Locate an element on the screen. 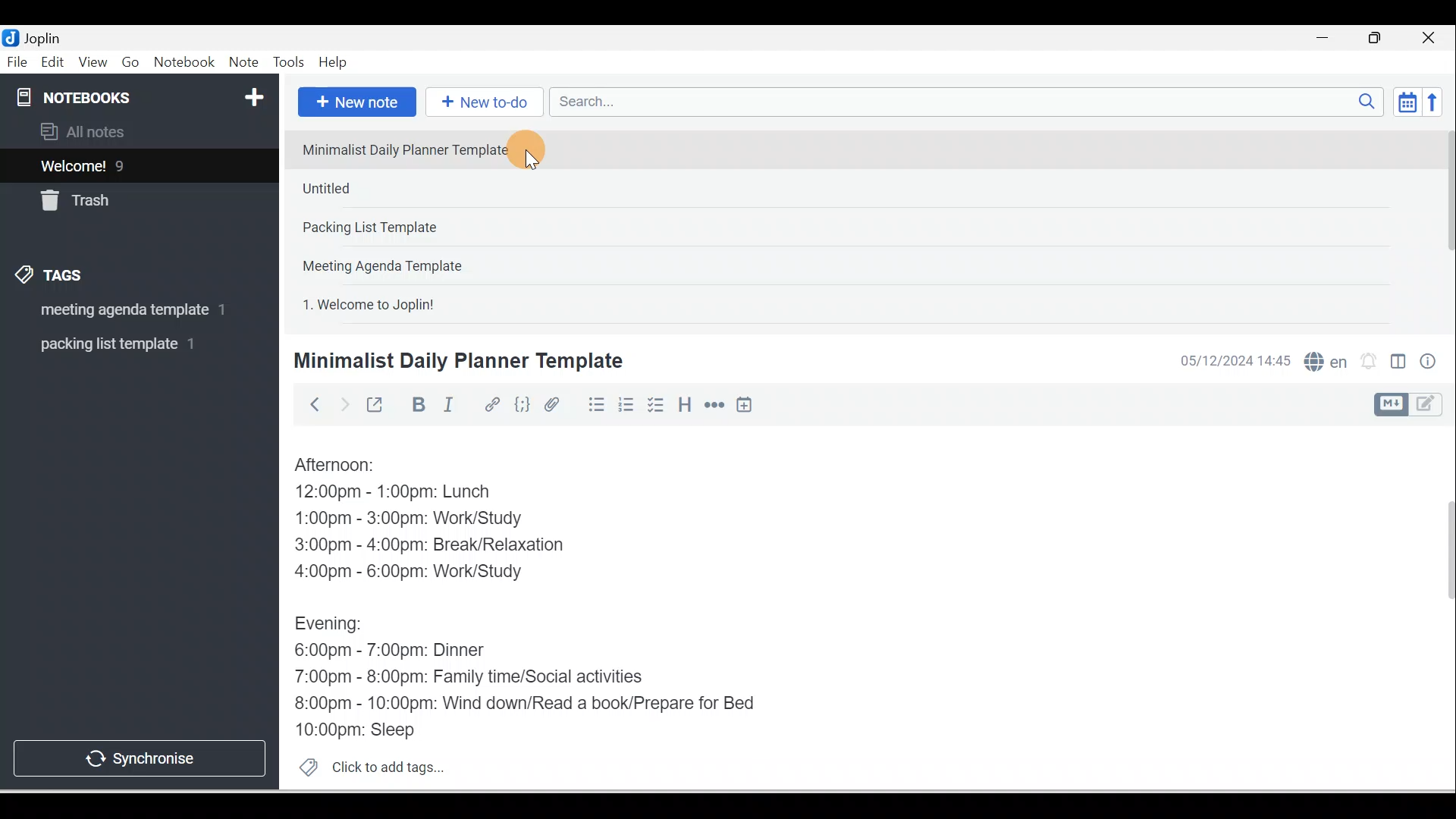  Note 2 is located at coordinates (401, 188).